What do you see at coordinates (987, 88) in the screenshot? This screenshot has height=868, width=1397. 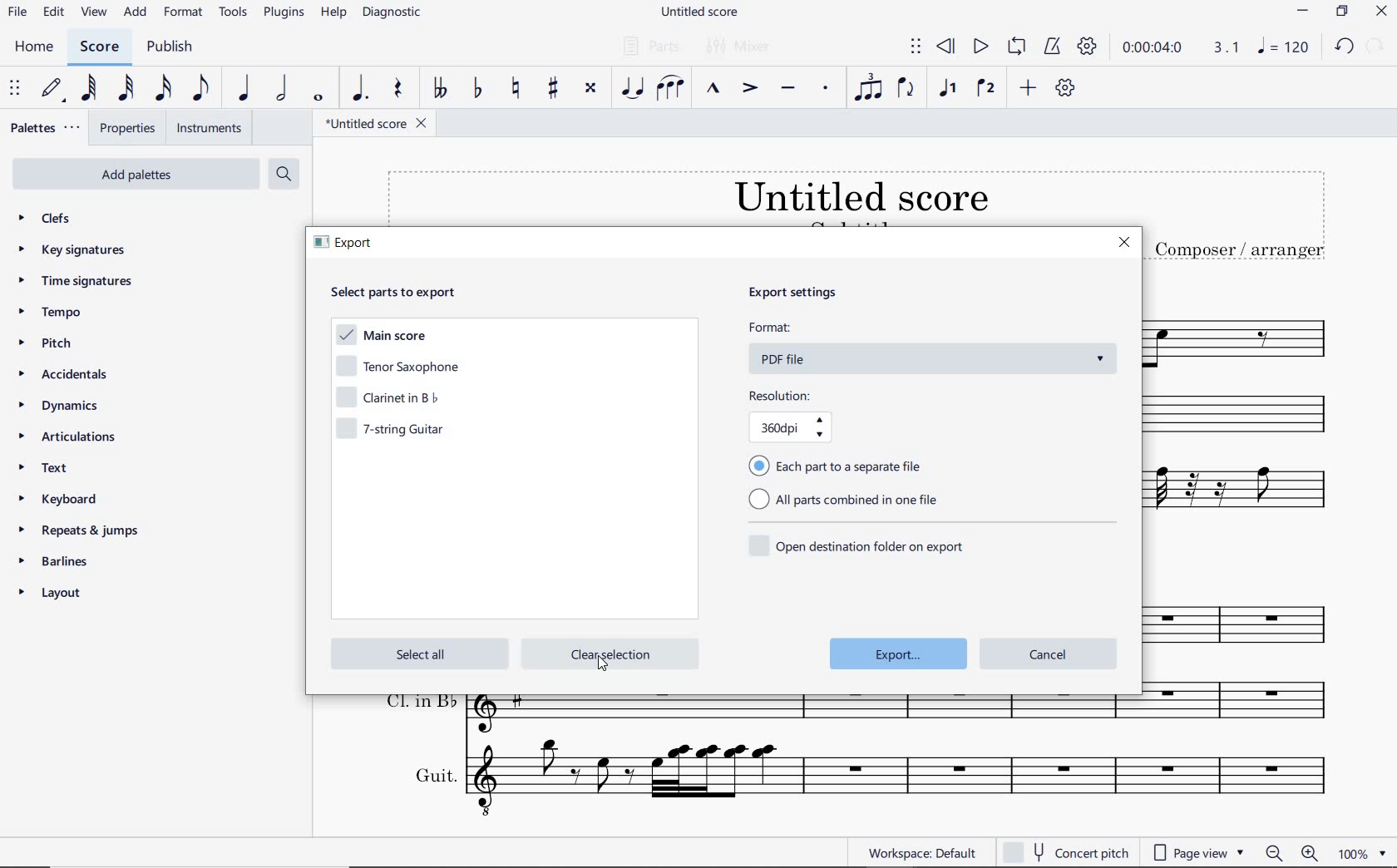 I see `VOICE 2` at bounding box center [987, 88].